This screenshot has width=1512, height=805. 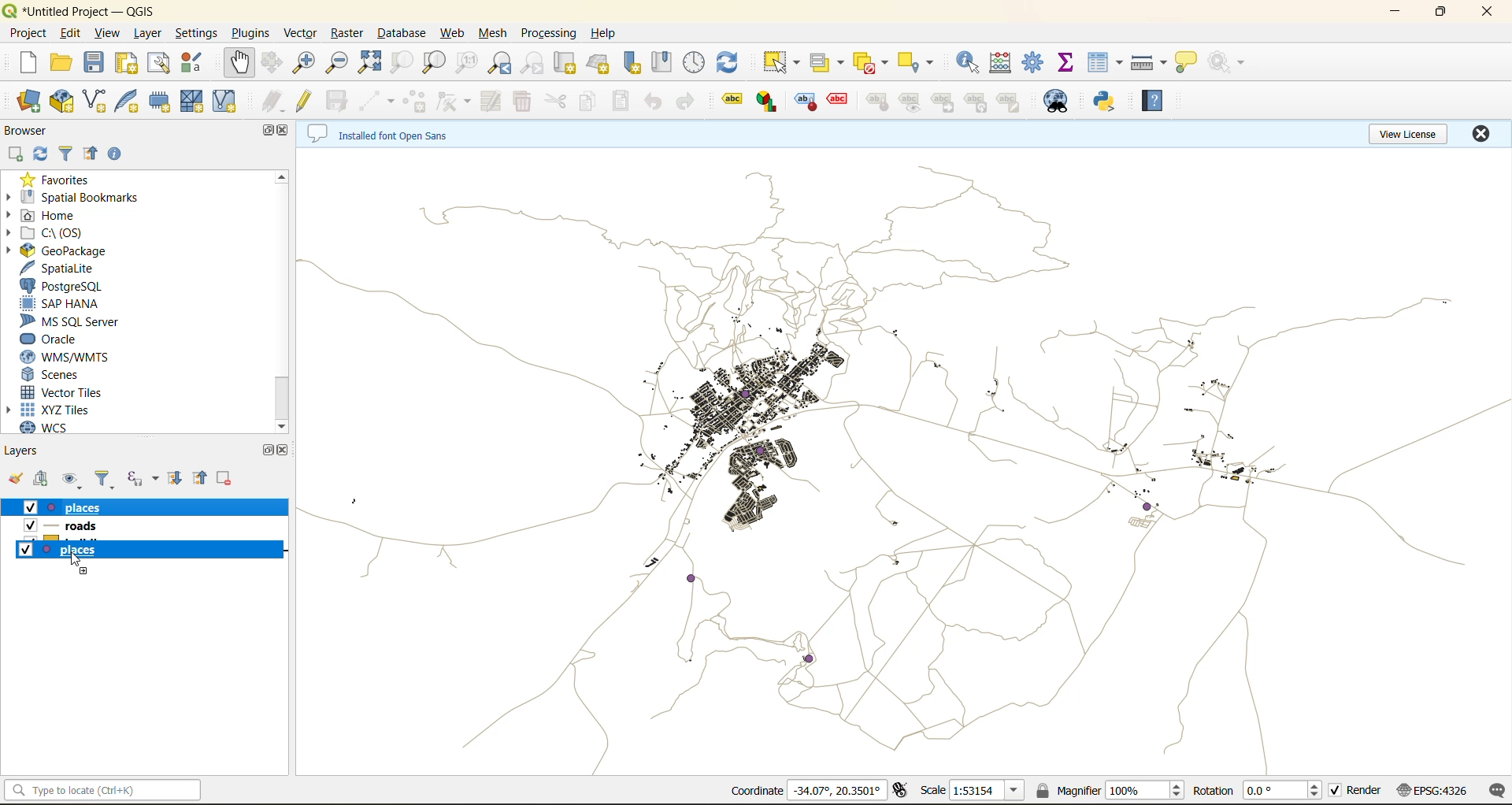 What do you see at coordinates (27, 451) in the screenshot?
I see `layers` at bounding box center [27, 451].